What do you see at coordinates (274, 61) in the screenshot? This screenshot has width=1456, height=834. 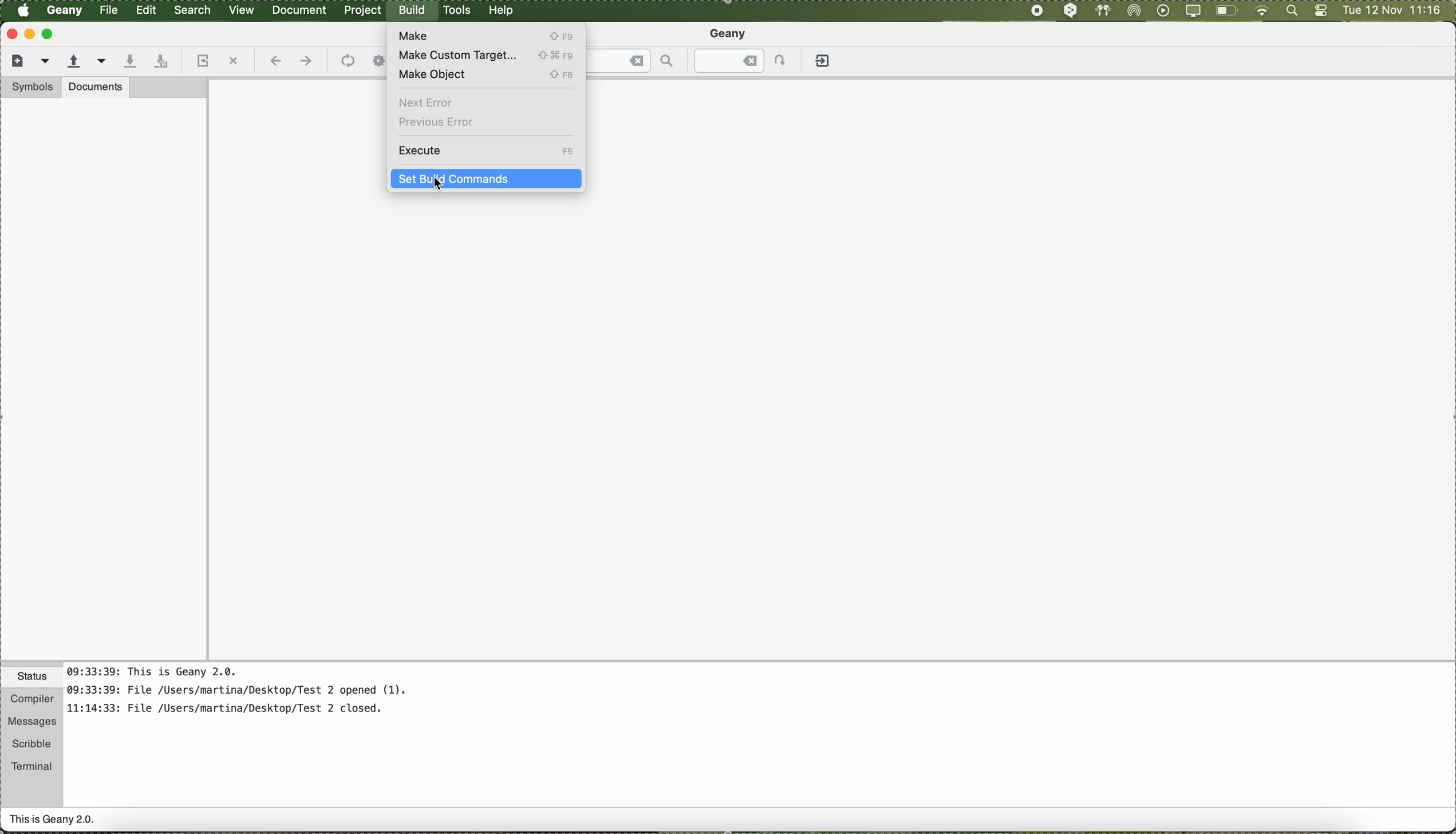 I see `navigate back a location` at bounding box center [274, 61].